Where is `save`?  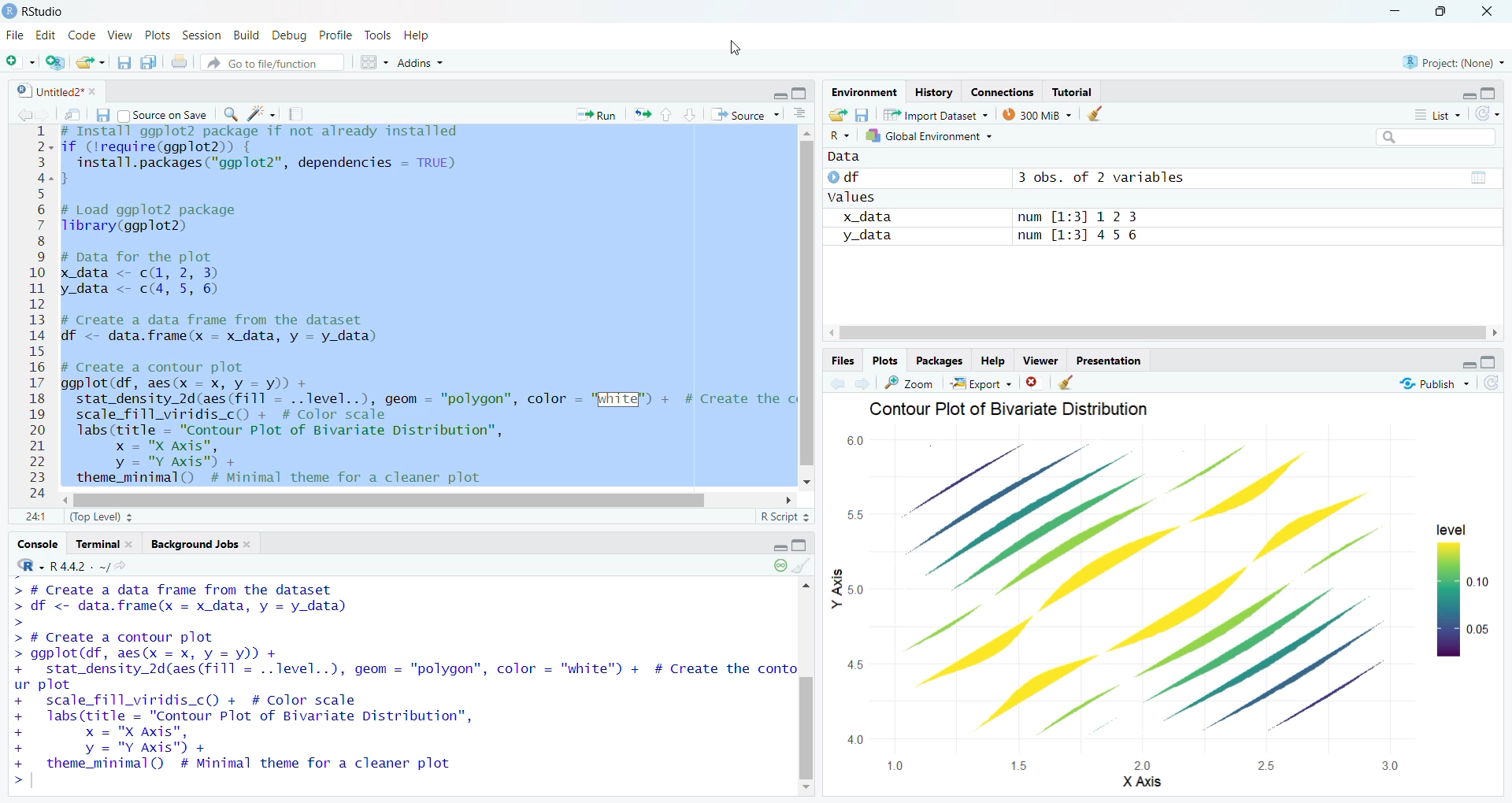 save is located at coordinates (102, 115).